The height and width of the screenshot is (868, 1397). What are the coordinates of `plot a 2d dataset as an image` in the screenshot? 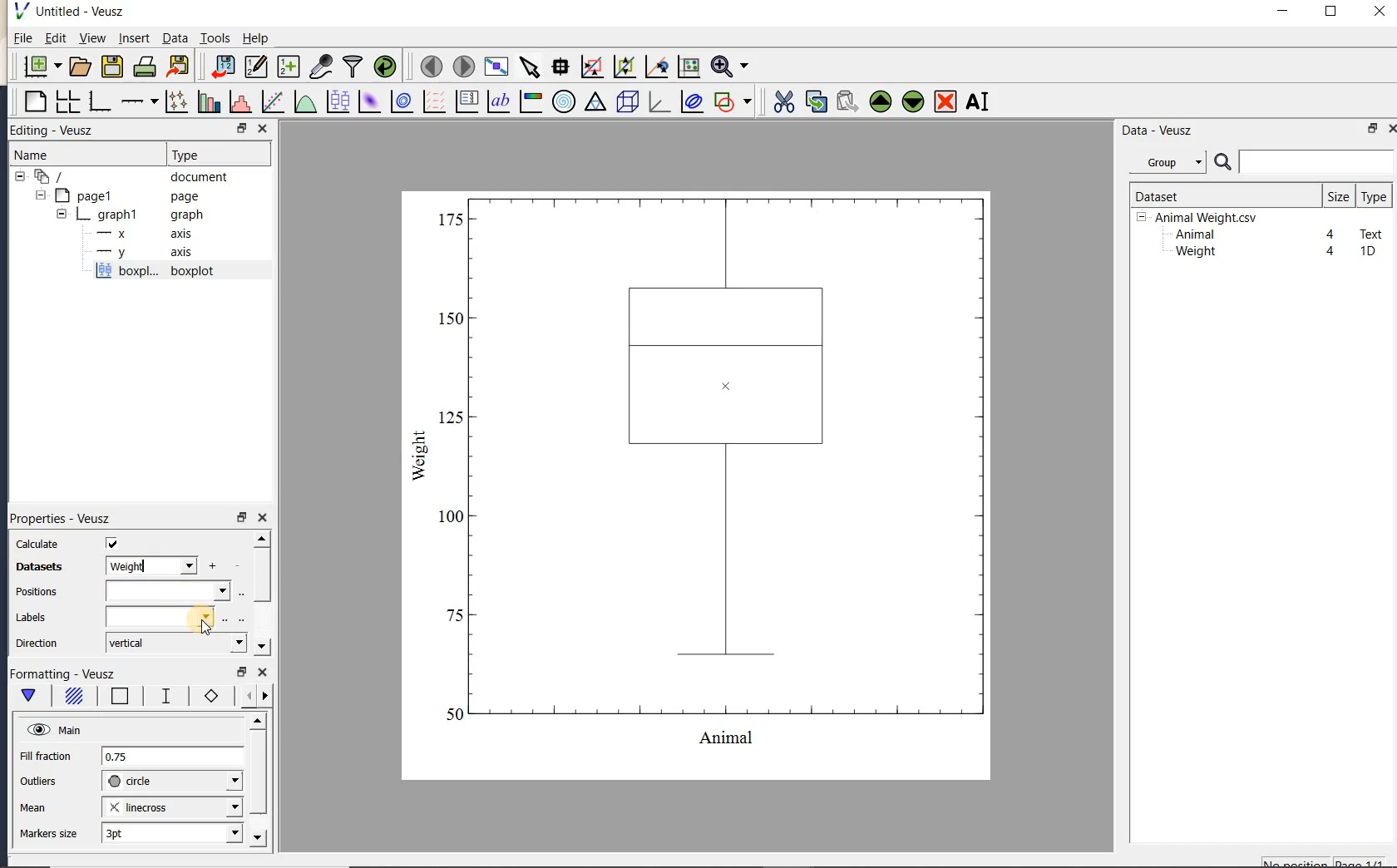 It's located at (368, 101).